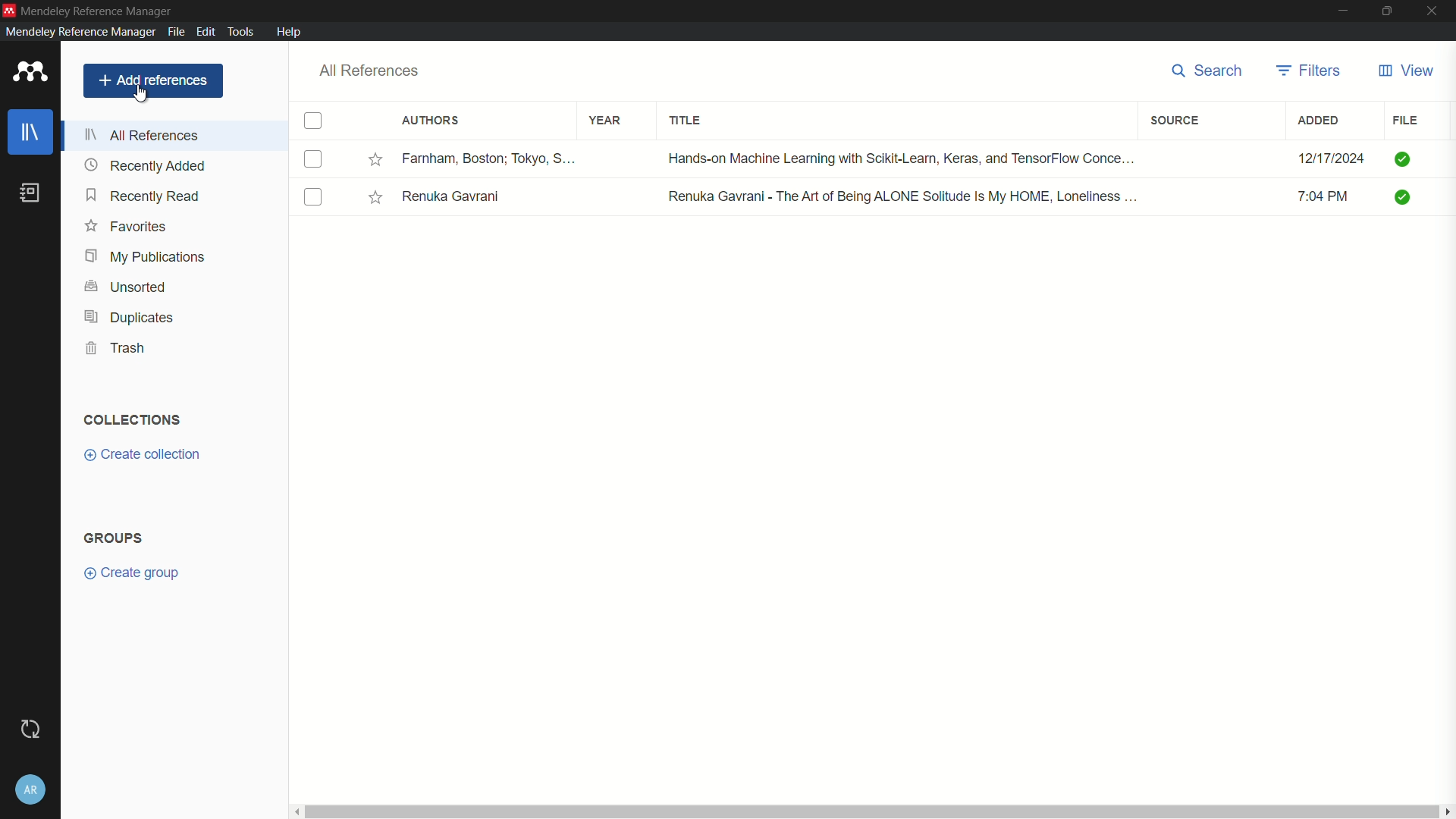  Describe the element at coordinates (134, 419) in the screenshot. I see `collections` at that location.